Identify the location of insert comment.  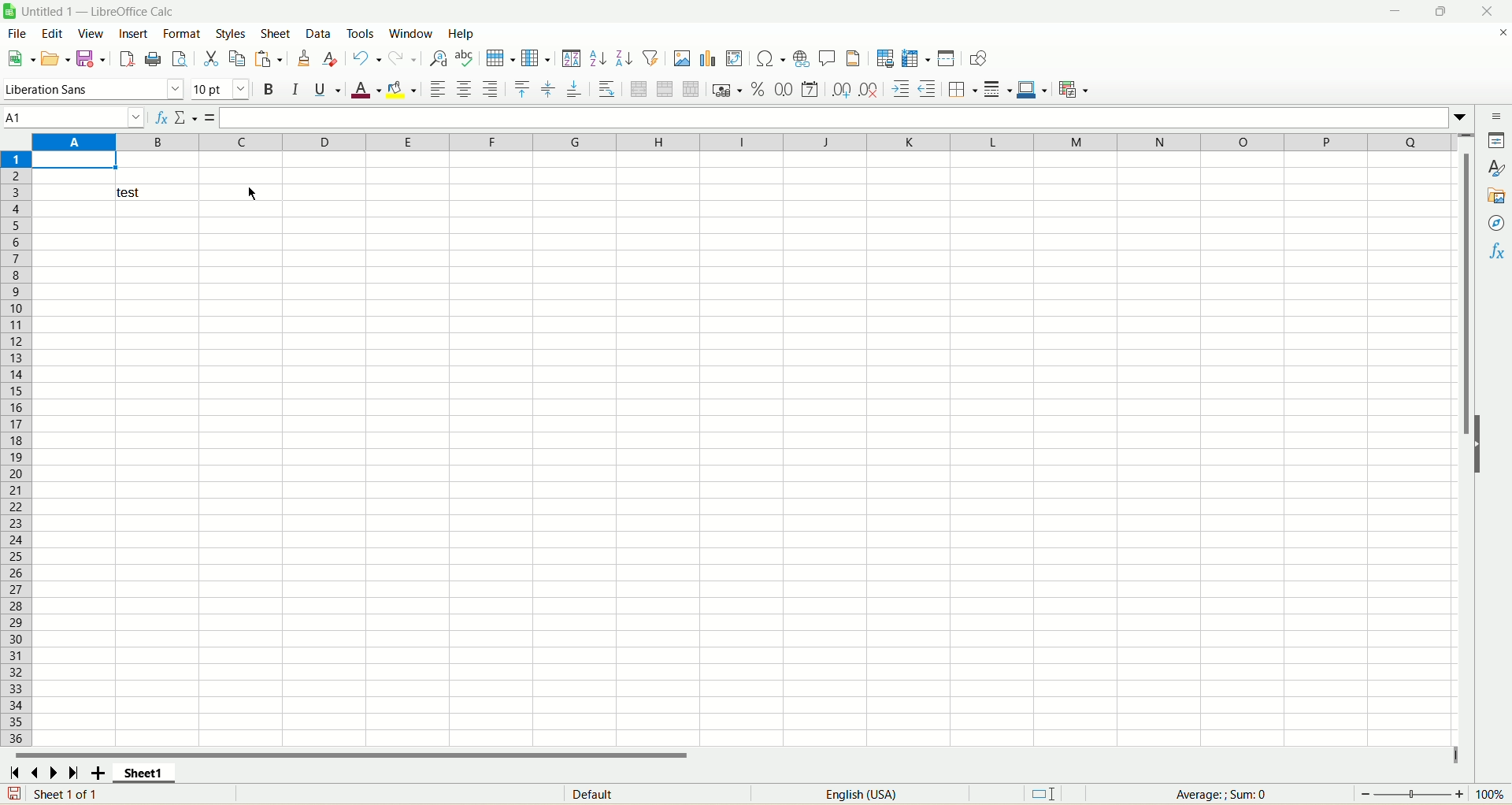
(828, 58).